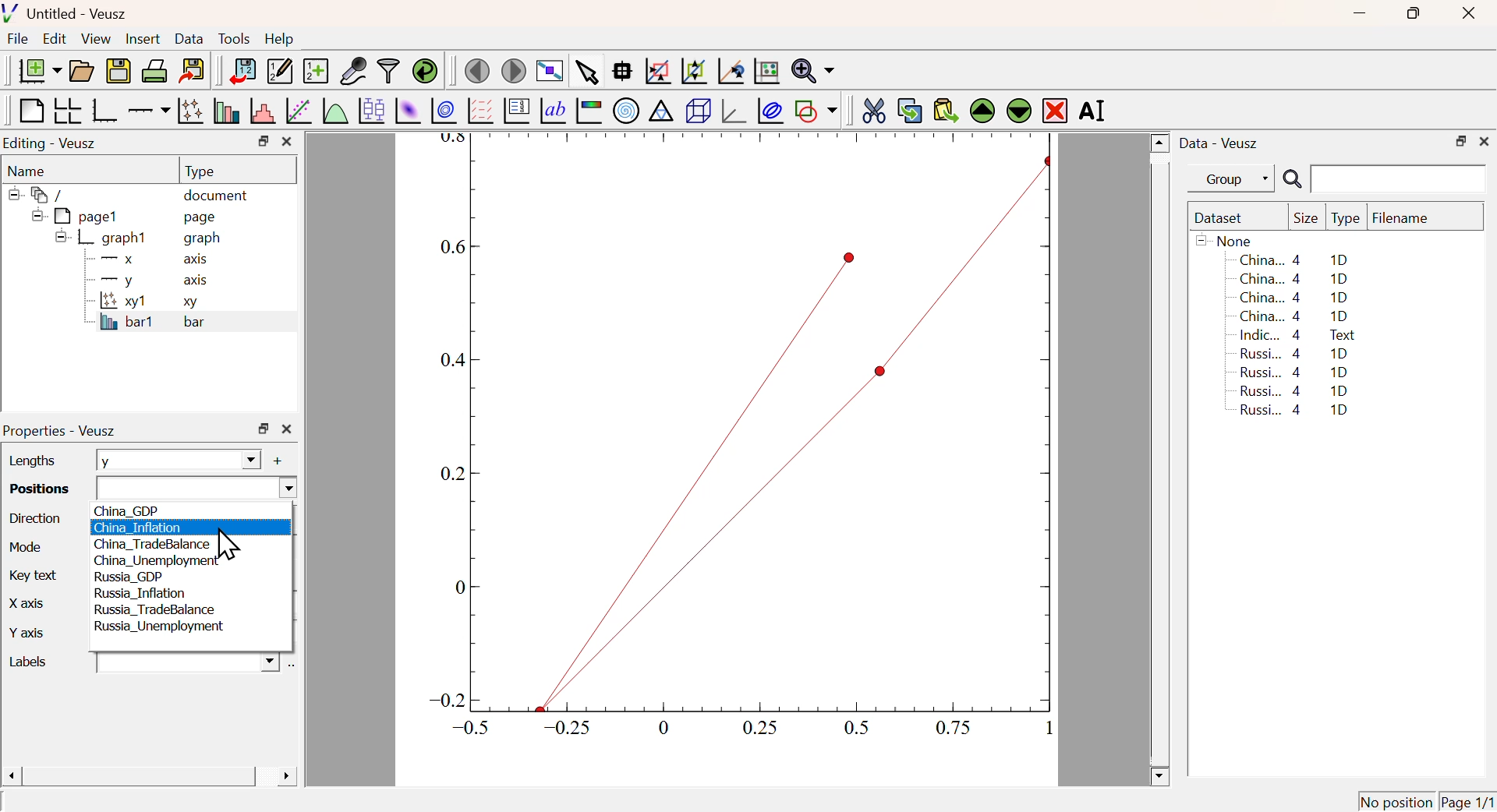  What do you see at coordinates (80, 71) in the screenshot?
I see `Open a document` at bounding box center [80, 71].